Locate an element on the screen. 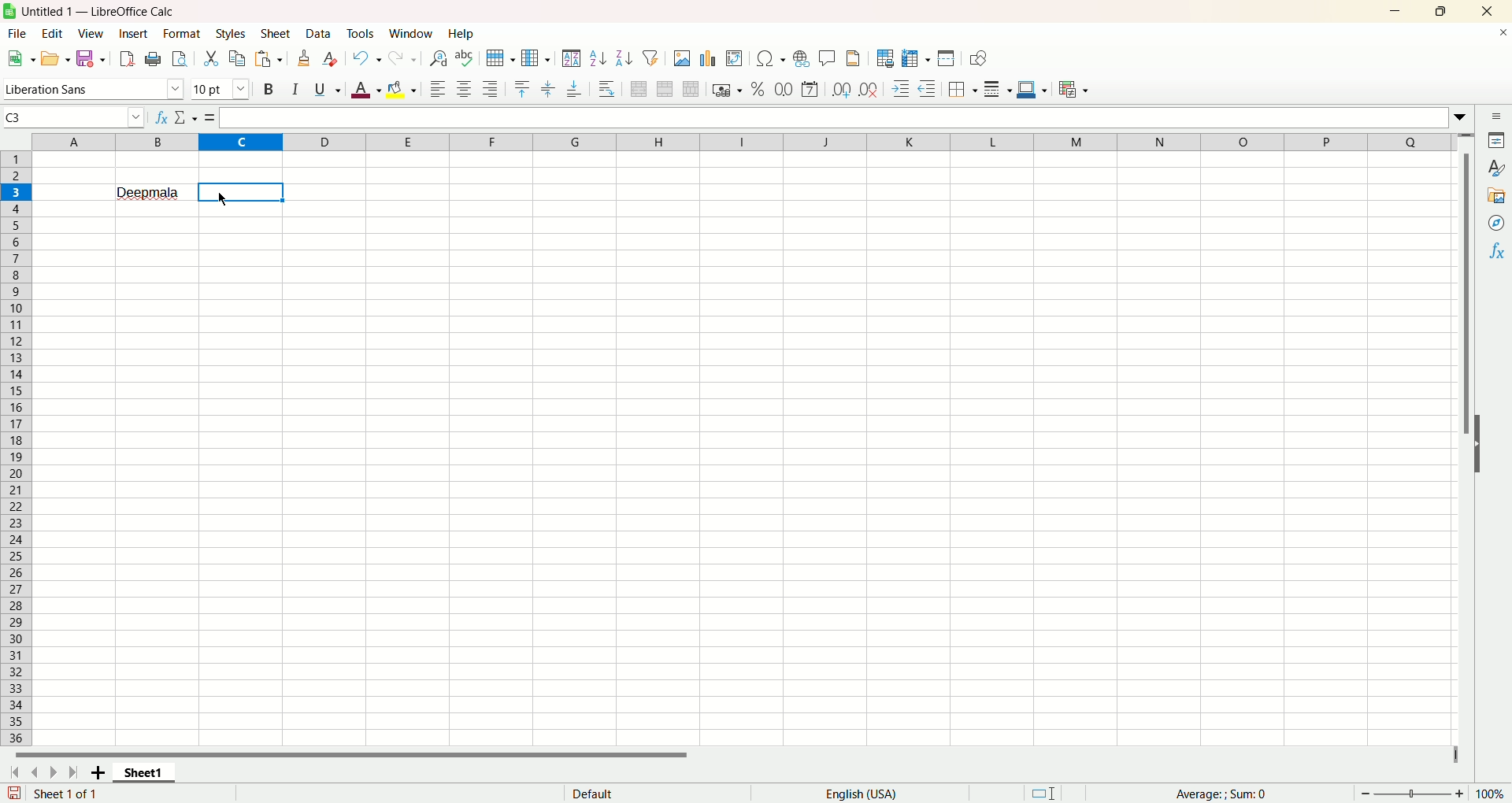  100% is located at coordinates (1489, 794).